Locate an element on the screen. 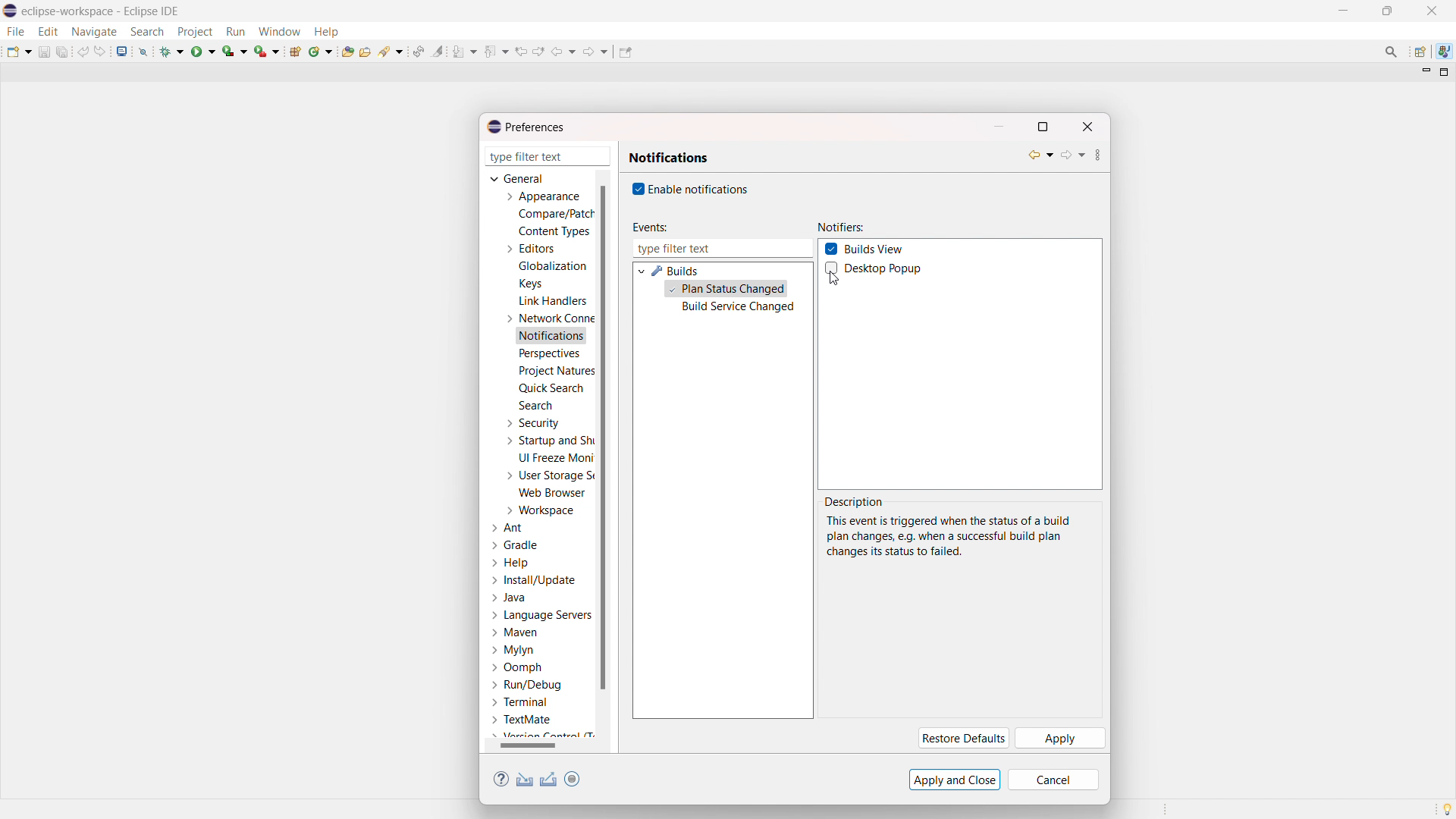 This screenshot has height=819, width=1456. edit is located at coordinates (47, 32).